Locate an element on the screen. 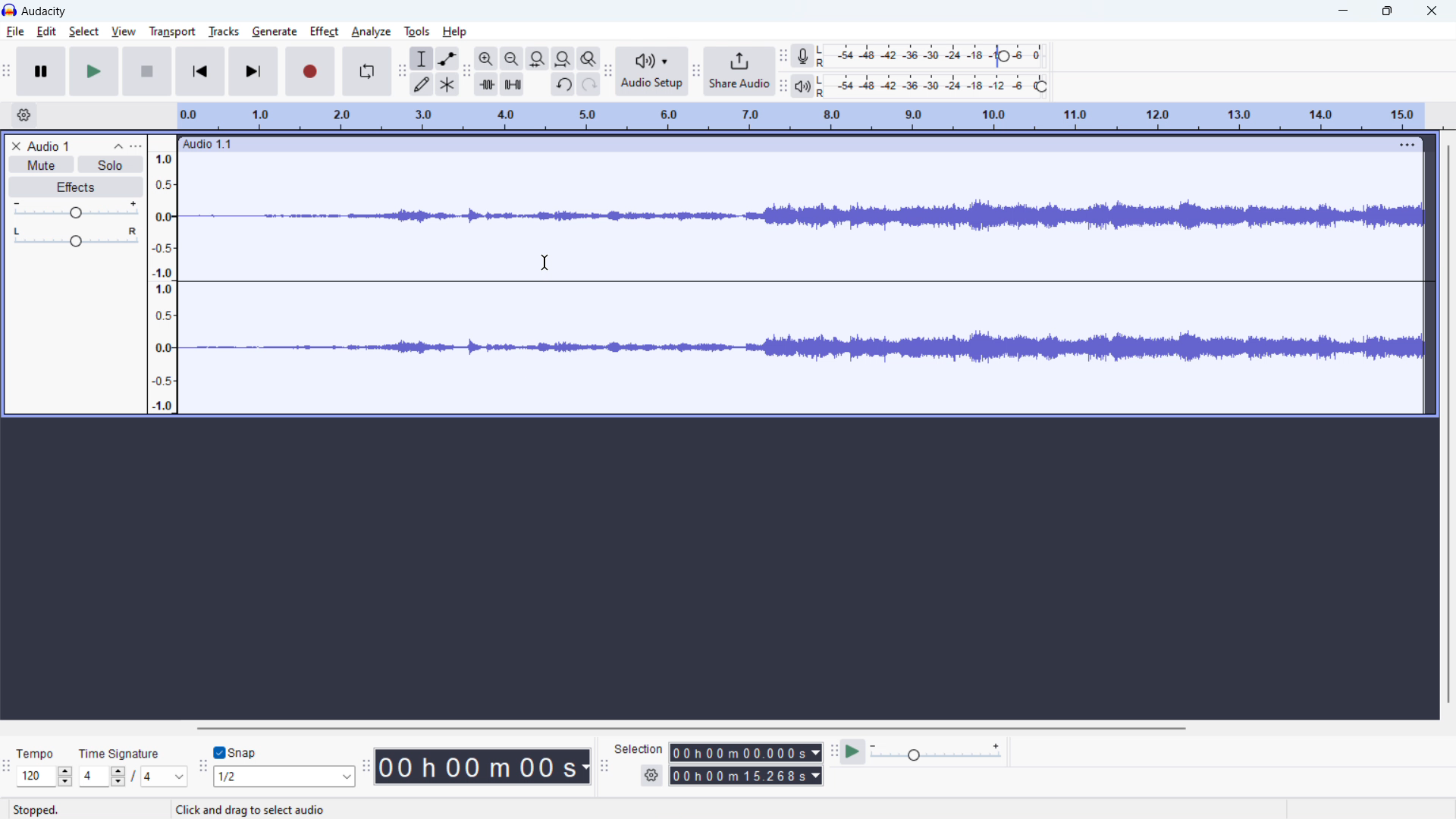 This screenshot has width=1456, height=819. toggle zoom is located at coordinates (588, 58).